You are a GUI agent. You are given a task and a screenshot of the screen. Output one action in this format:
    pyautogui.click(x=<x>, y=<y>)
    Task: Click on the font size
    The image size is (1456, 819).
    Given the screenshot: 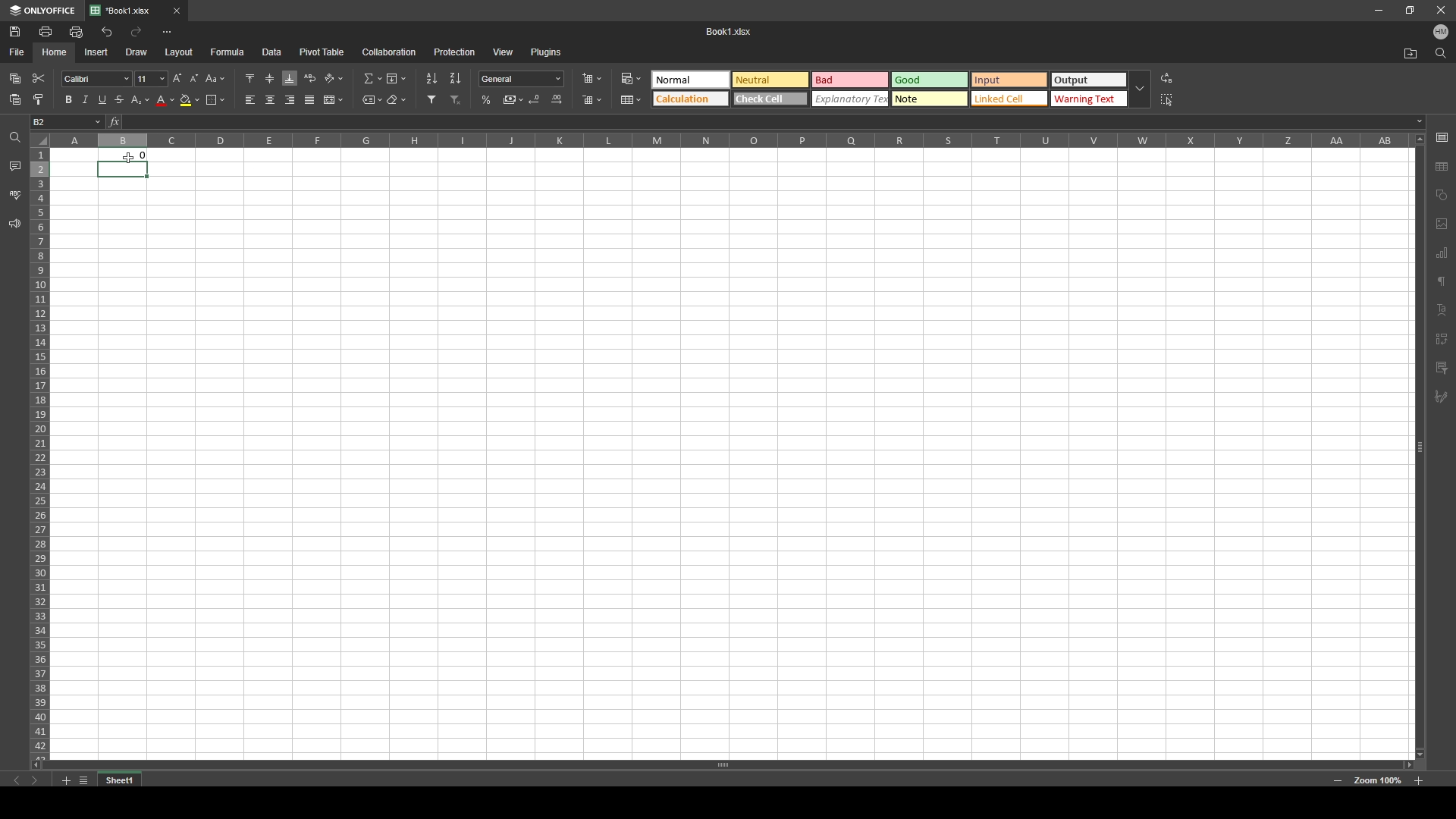 What is the action you would take?
    pyautogui.click(x=150, y=79)
    